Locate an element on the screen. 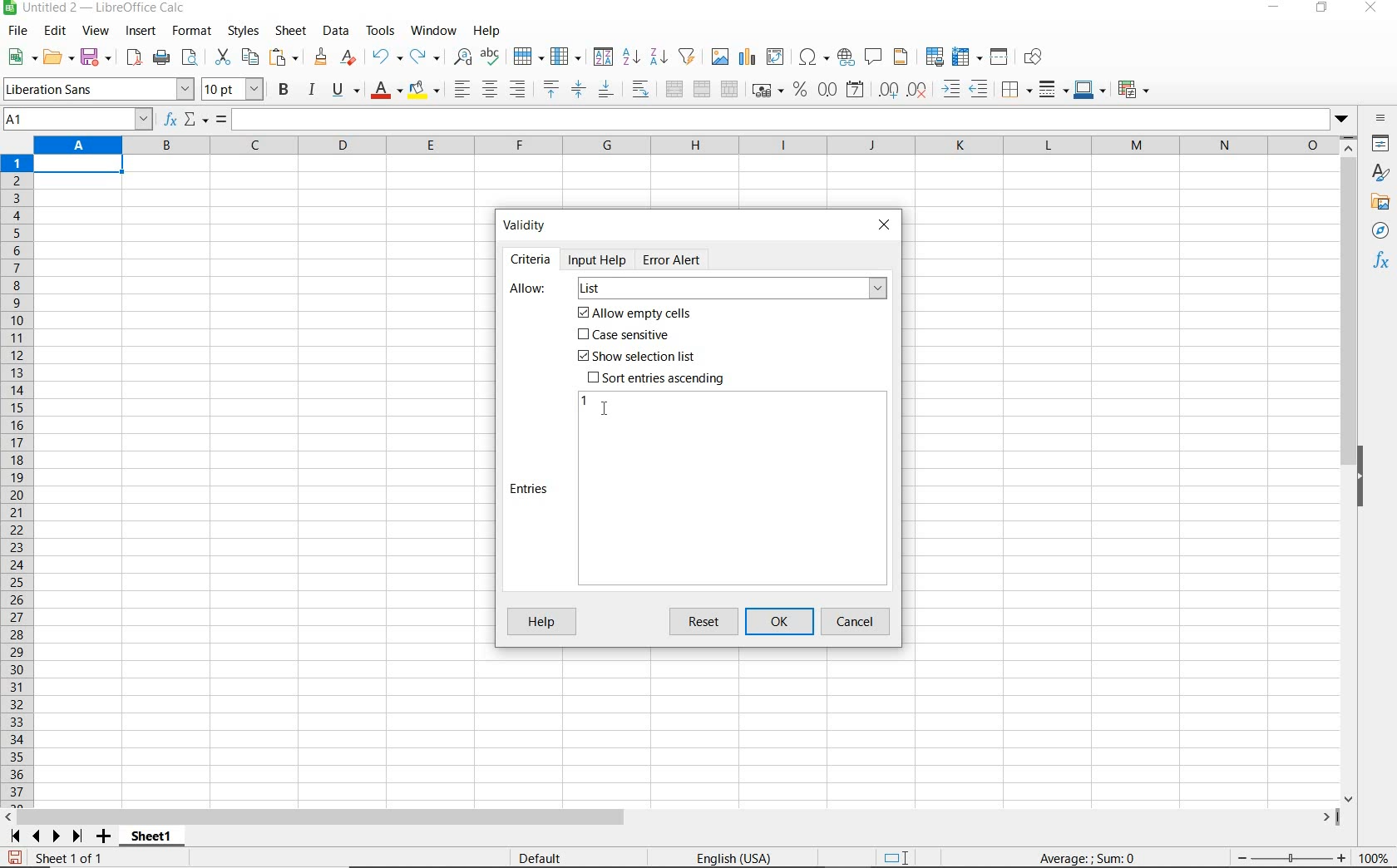 The image size is (1397, 868). paste is located at coordinates (286, 59).